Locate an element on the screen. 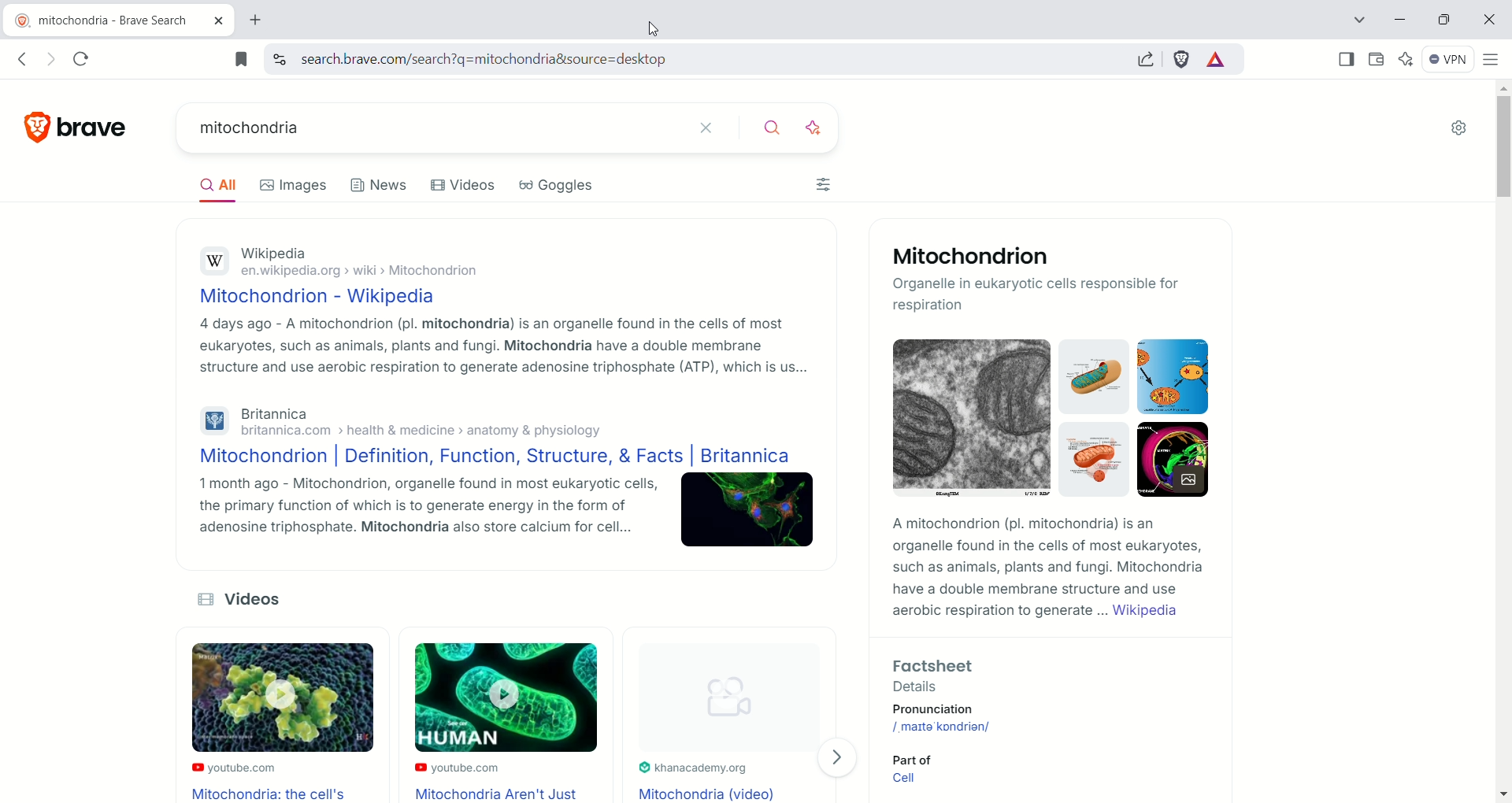 Image resolution: width=1512 pixels, height=803 pixels. Cell is located at coordinates (909, 781).